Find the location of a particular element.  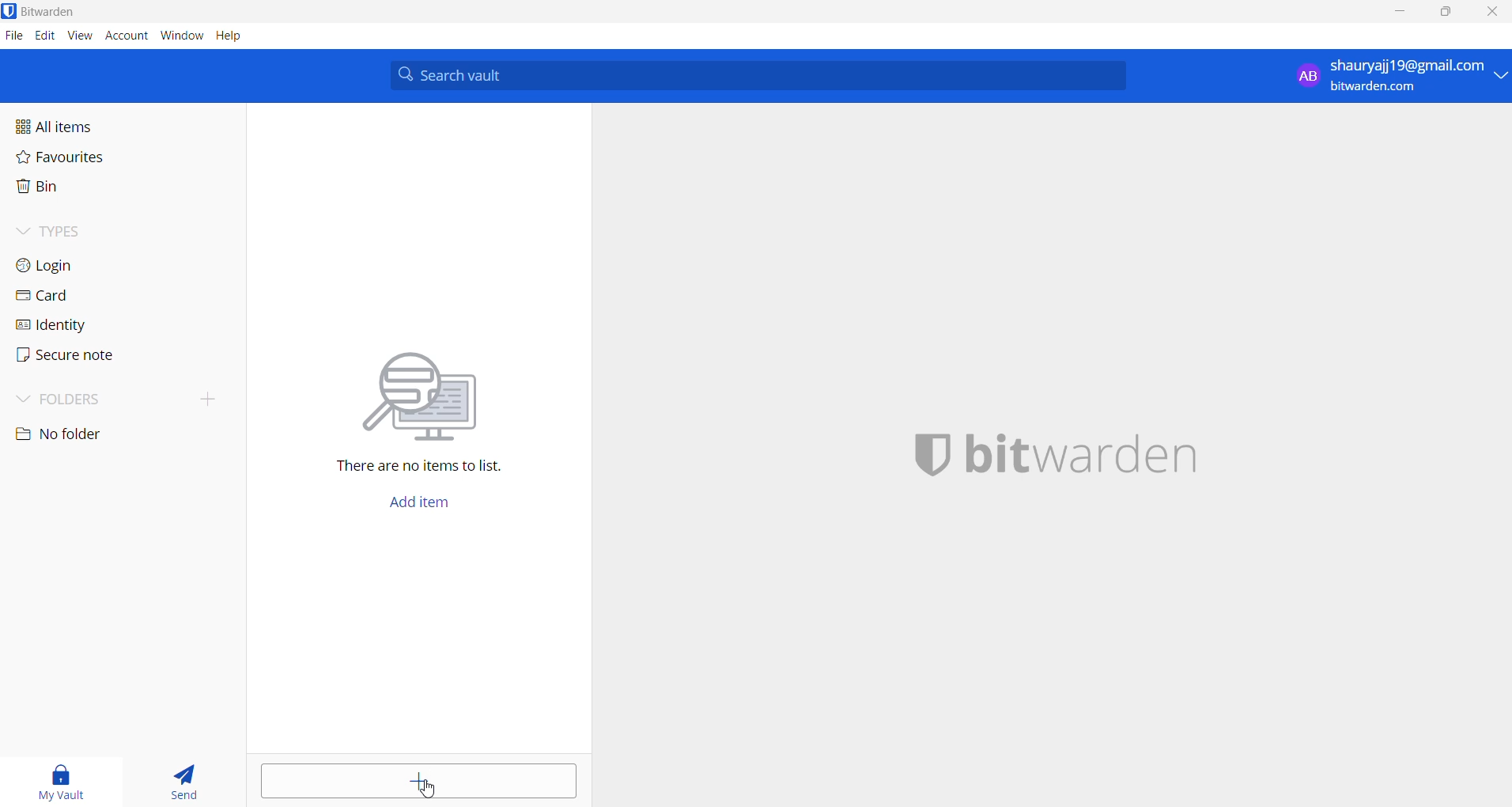

maximize is located at coordinates (1447, 13).